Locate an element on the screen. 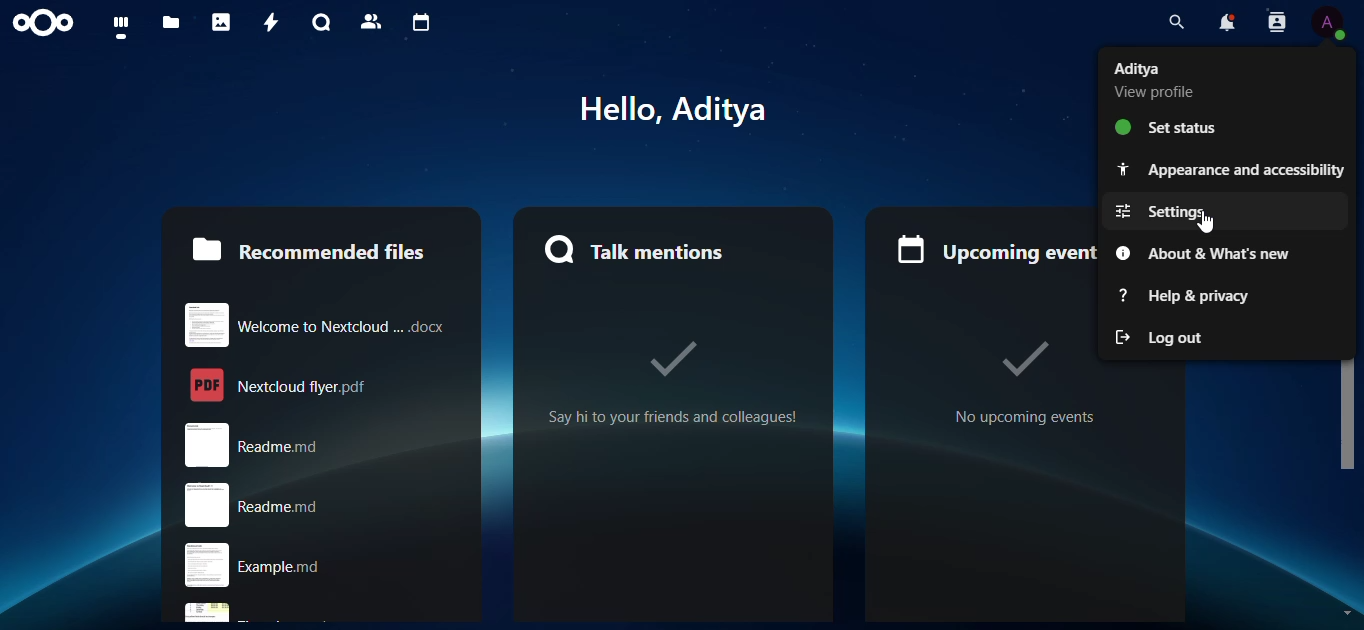 Image resolution: width=1364 pixels, height=630 pixels. hello, aditya is located at coordinates (692, 108).